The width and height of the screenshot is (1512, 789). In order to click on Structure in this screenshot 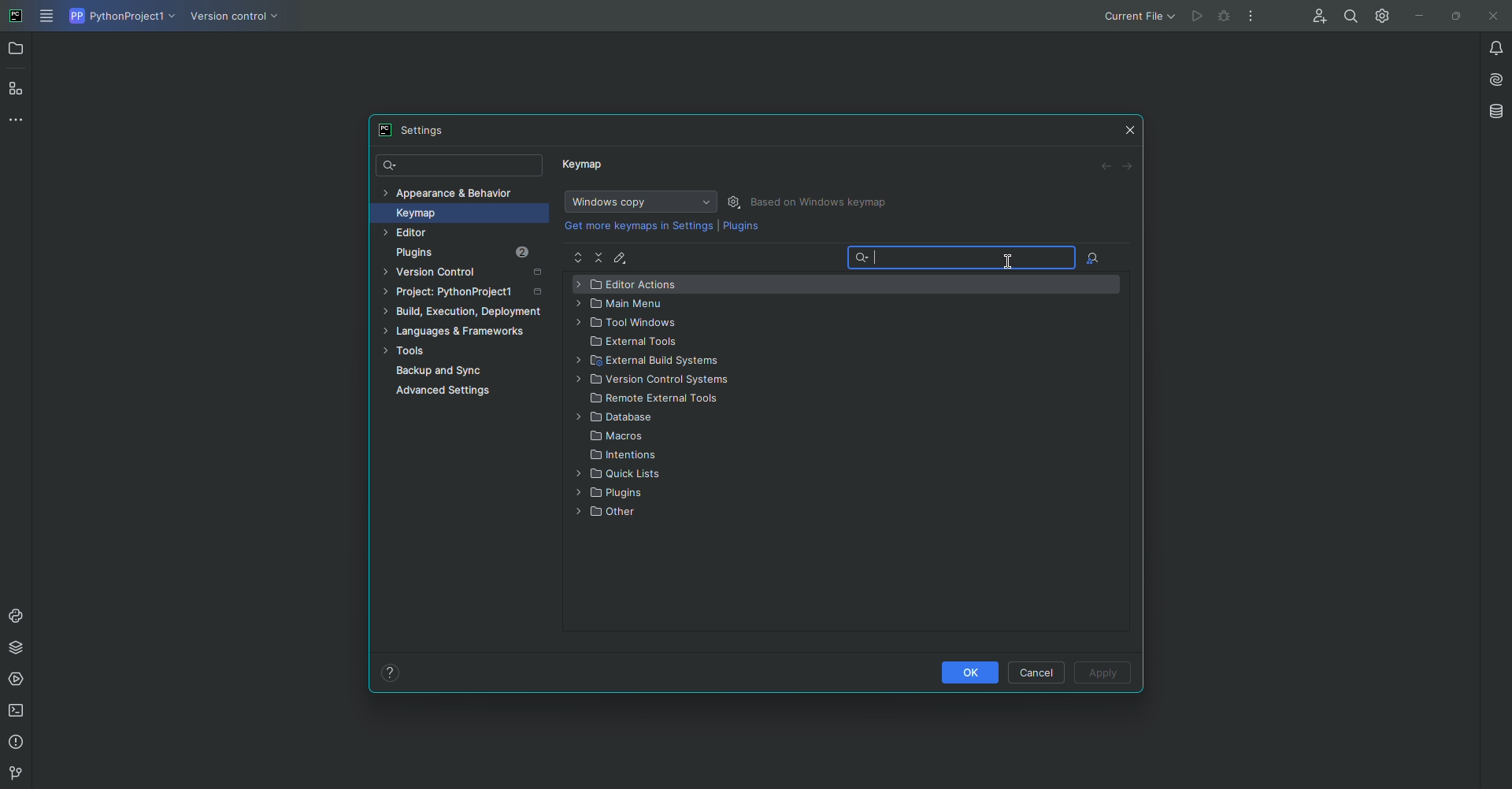, I will do `click(17, 87)`.